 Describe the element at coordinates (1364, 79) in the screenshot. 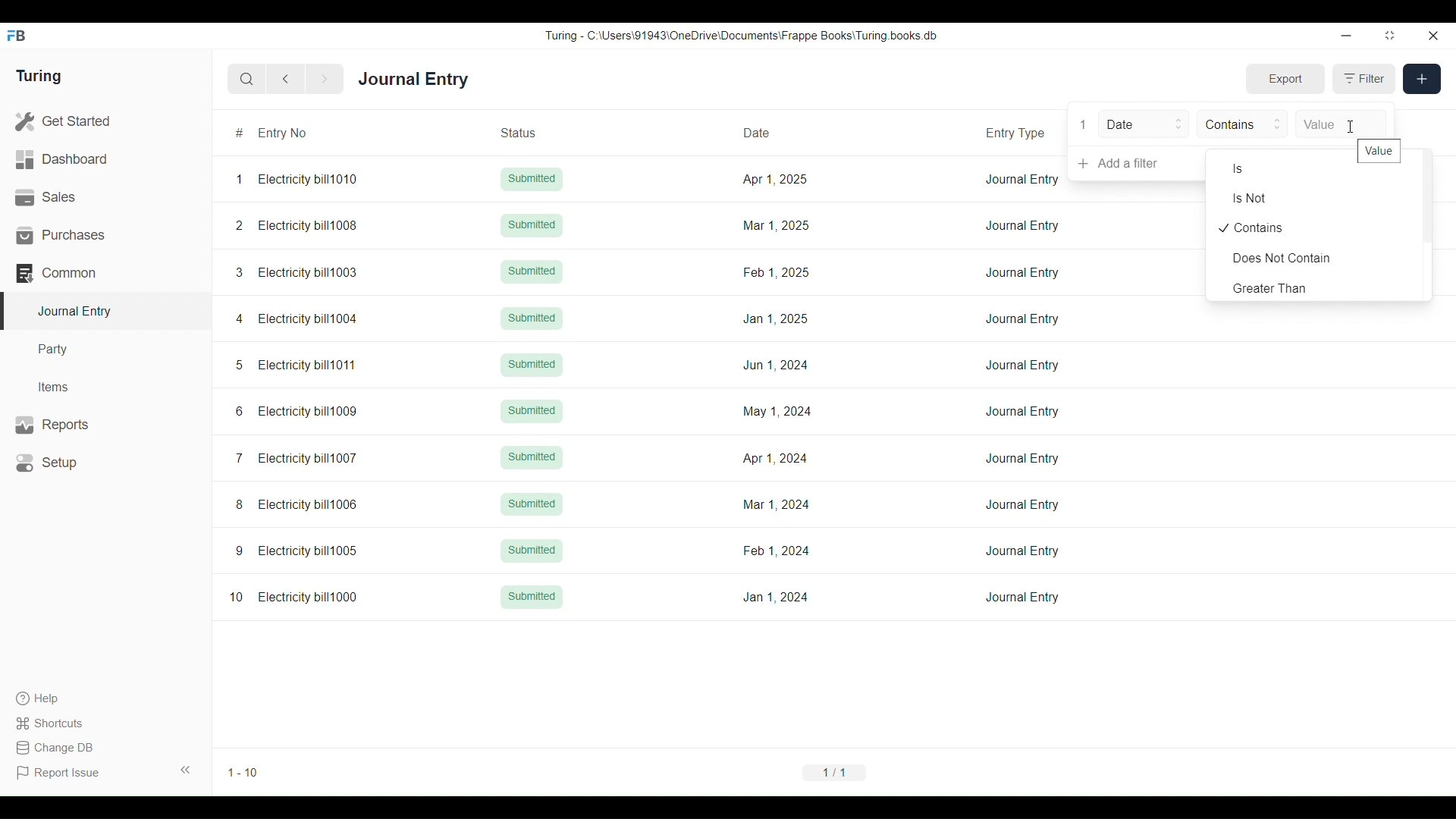

I see `Filter` at that location.